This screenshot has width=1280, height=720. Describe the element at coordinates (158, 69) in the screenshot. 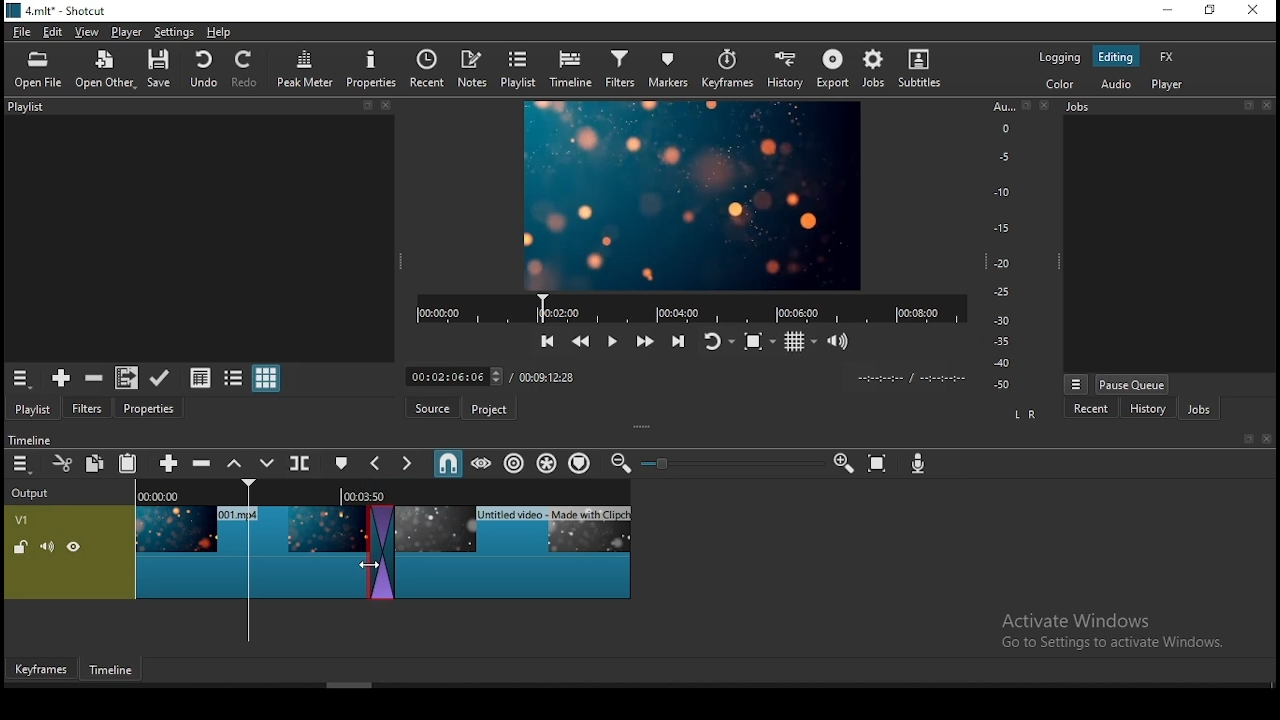

I see `save` at that location.